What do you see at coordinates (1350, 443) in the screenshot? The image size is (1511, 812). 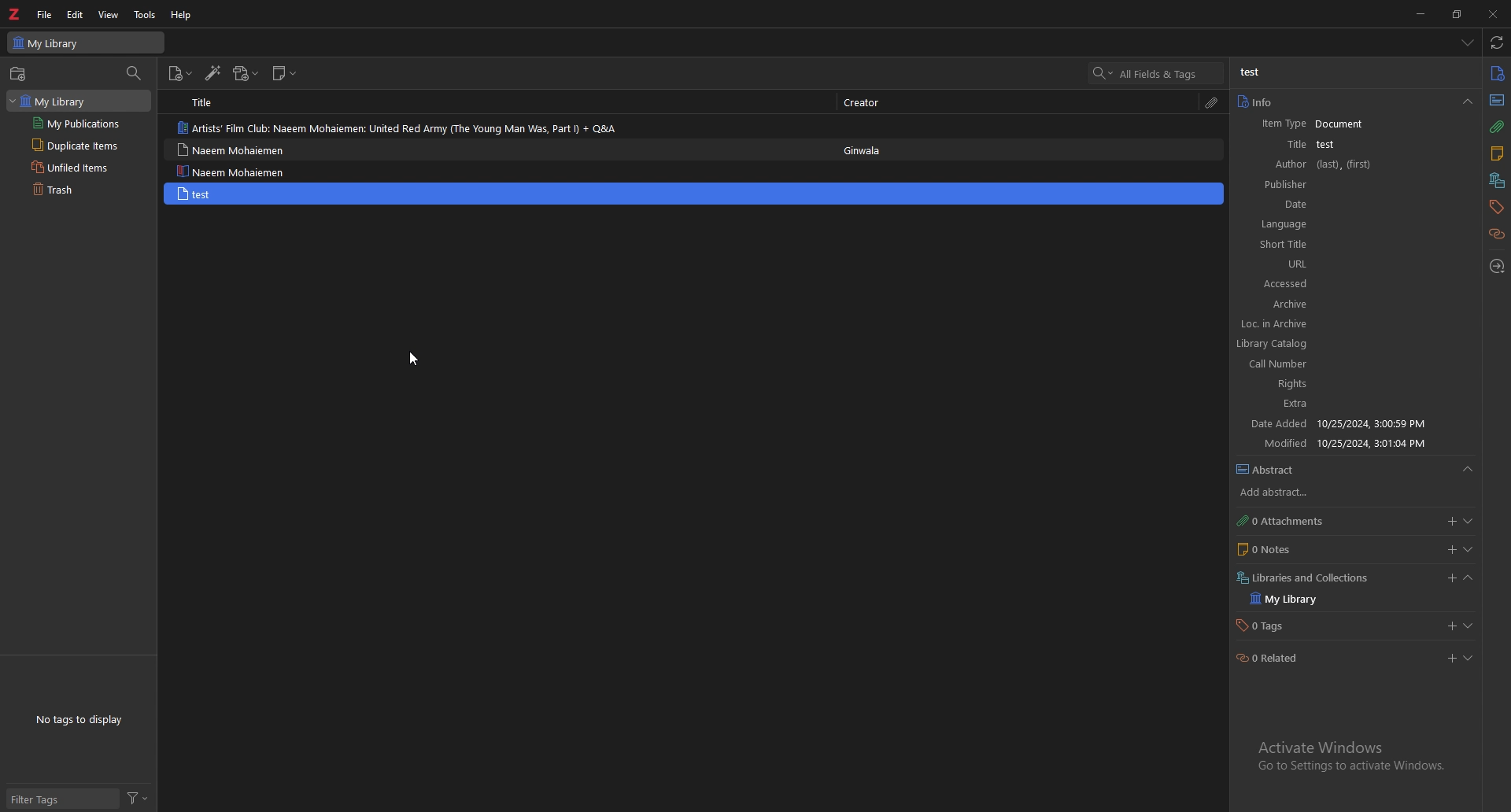 I see `Modified` at bounding box center [1350, 443].